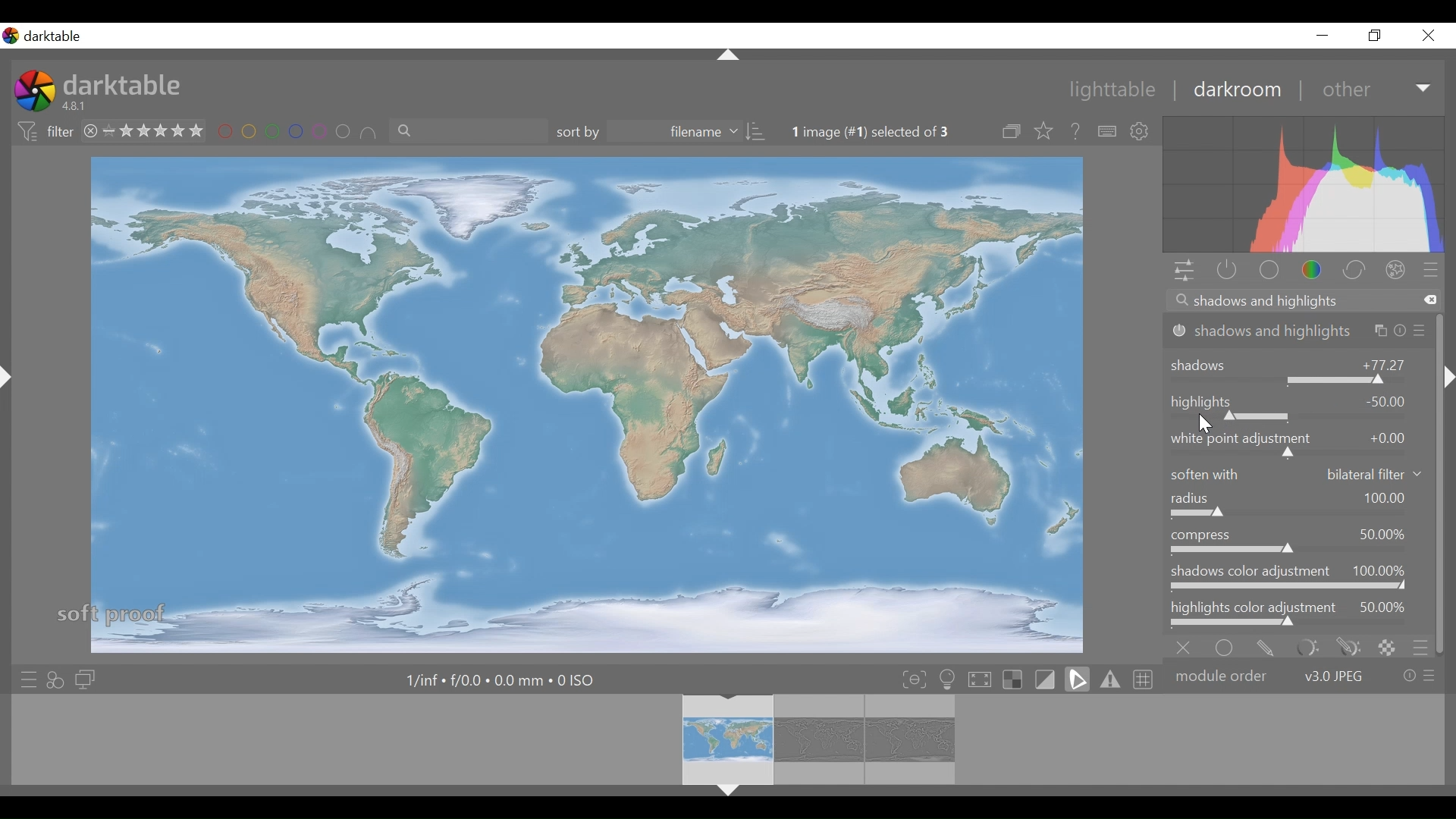  Describe the element at coordinates (1077, 679) in the screenshot. I see `toggle softproofing` at that location.